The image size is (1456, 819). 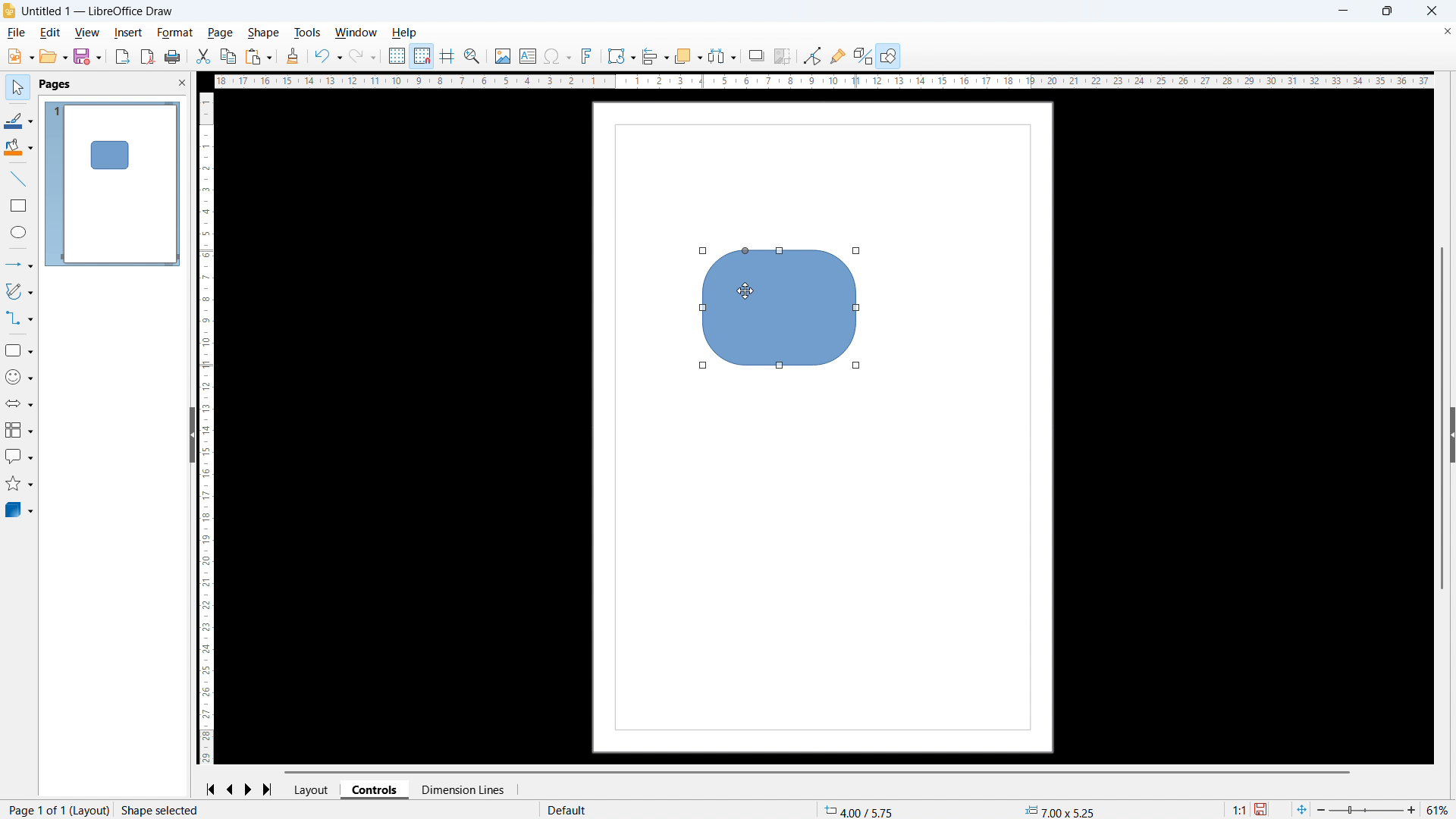 What do you see at coordinates (328, 57) in the screenshot?
I see `Undo ` at bounding box center [328, 57].